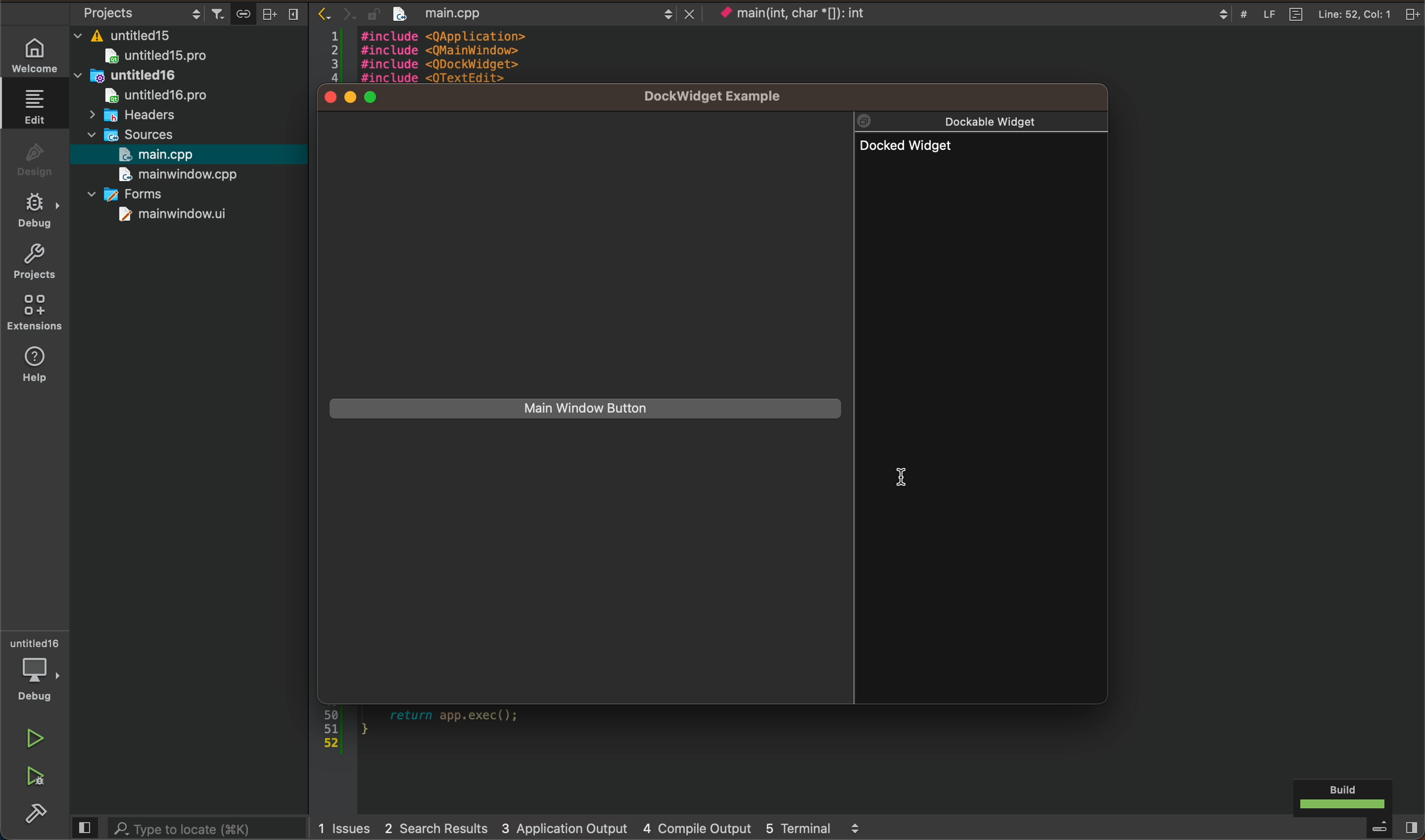 The height and width of the screenshot is (840, 1425). What do you see at coordinates (358, 99) in the screenshot?
I see `window control buttons ` at bounding box center [358, 99].